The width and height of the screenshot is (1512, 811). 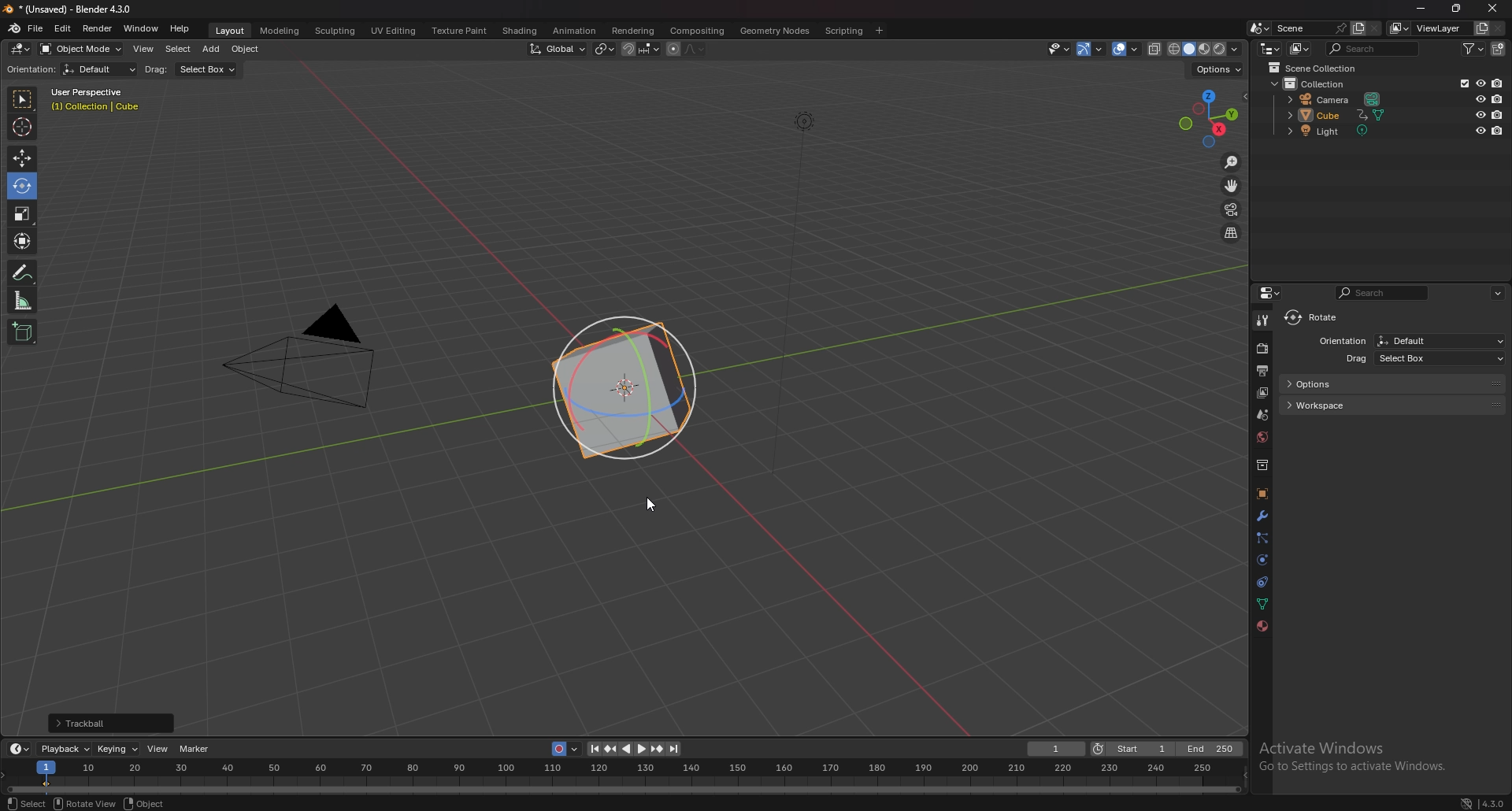 I want to click on marker, so click(x=198, y=750).